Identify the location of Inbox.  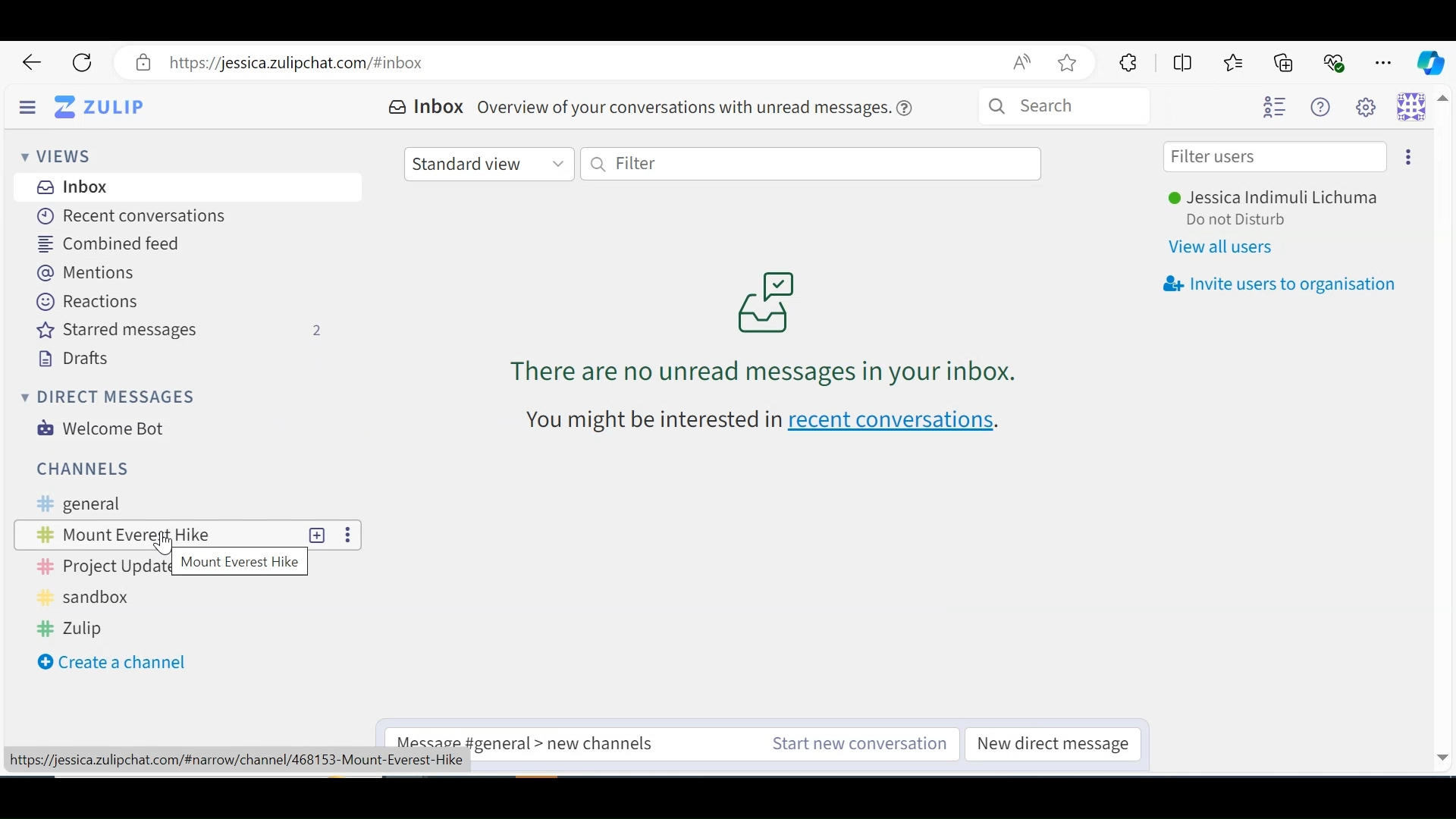
(428, 108).